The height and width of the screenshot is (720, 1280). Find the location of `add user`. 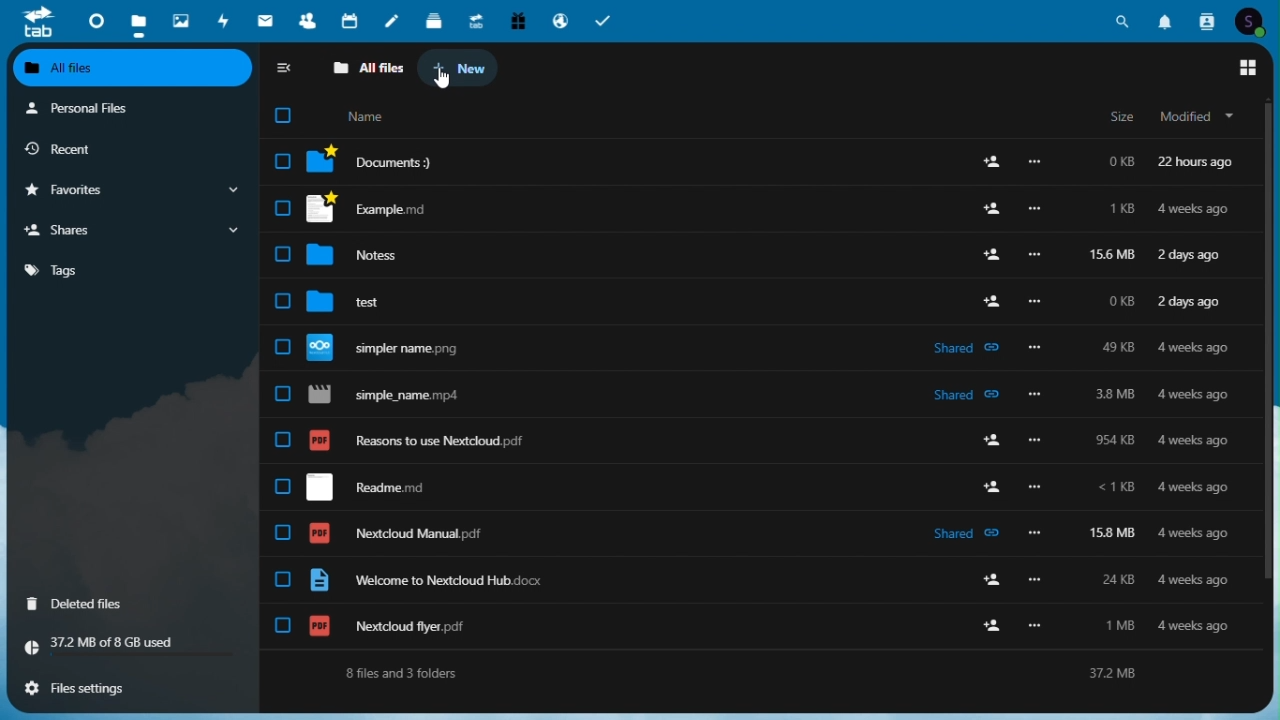

add user is located at coordinates (987, 164).